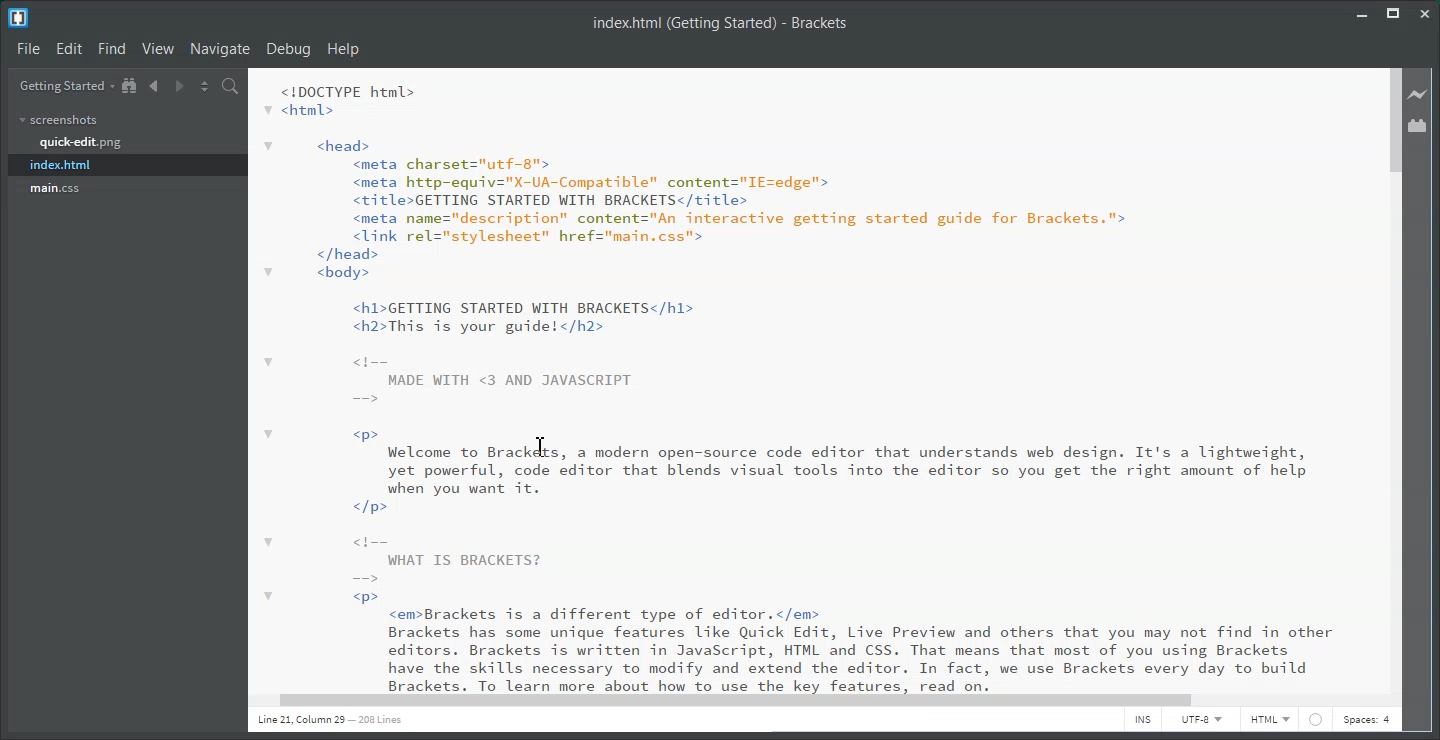  I want to click on web, so click(1315, 723).